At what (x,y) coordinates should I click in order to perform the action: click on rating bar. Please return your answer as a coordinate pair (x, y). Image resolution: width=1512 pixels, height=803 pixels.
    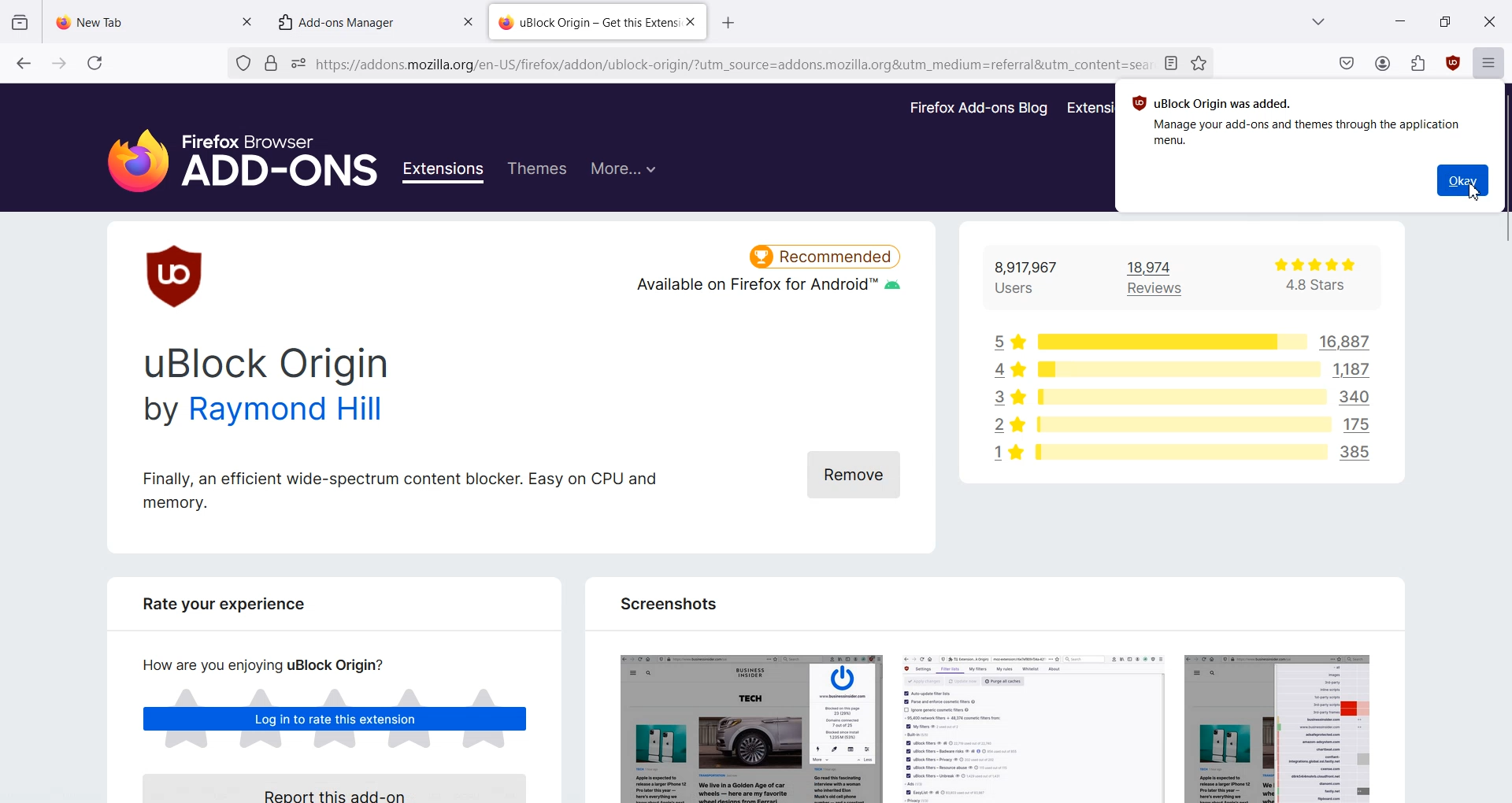
    Looking at the image, I should click on (1178, 371).